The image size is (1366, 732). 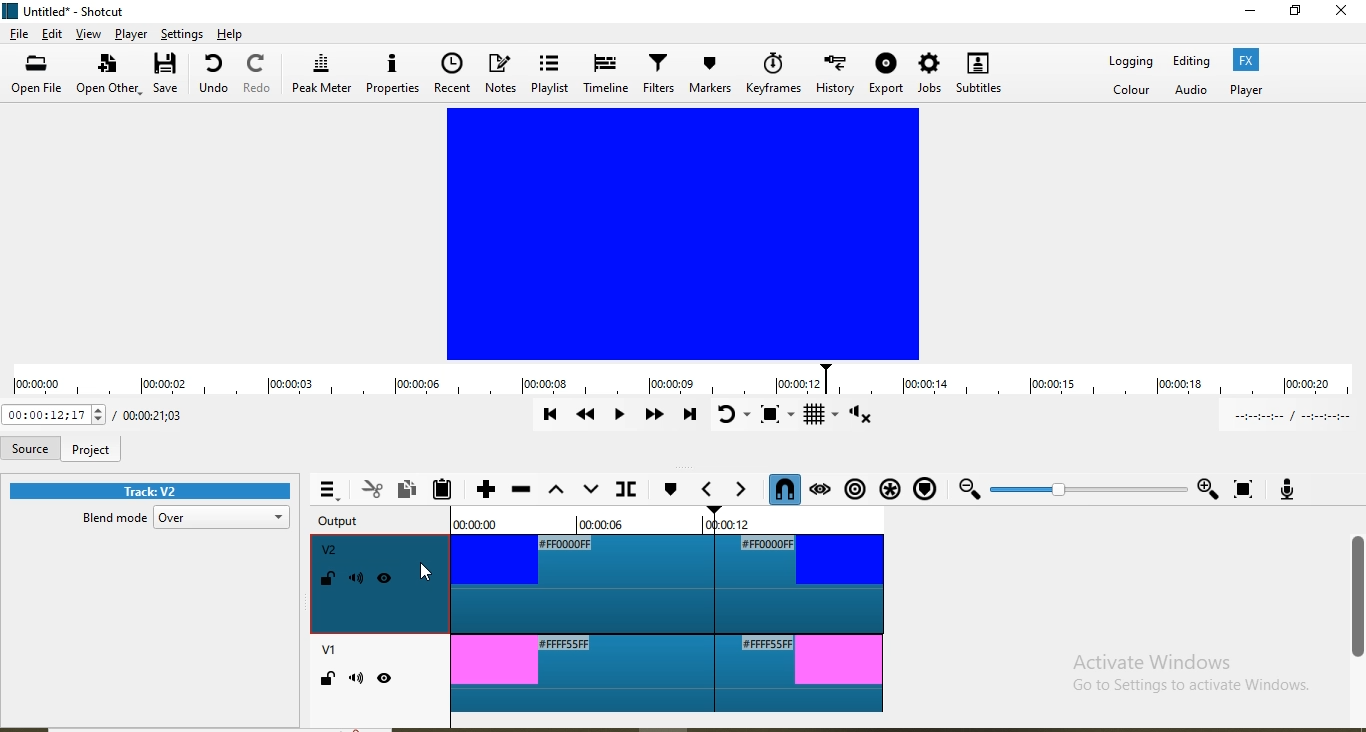 What do you see at coordinates (426, 574) in the screenshot?
I see `cursor` at bounding box center [426, 574].